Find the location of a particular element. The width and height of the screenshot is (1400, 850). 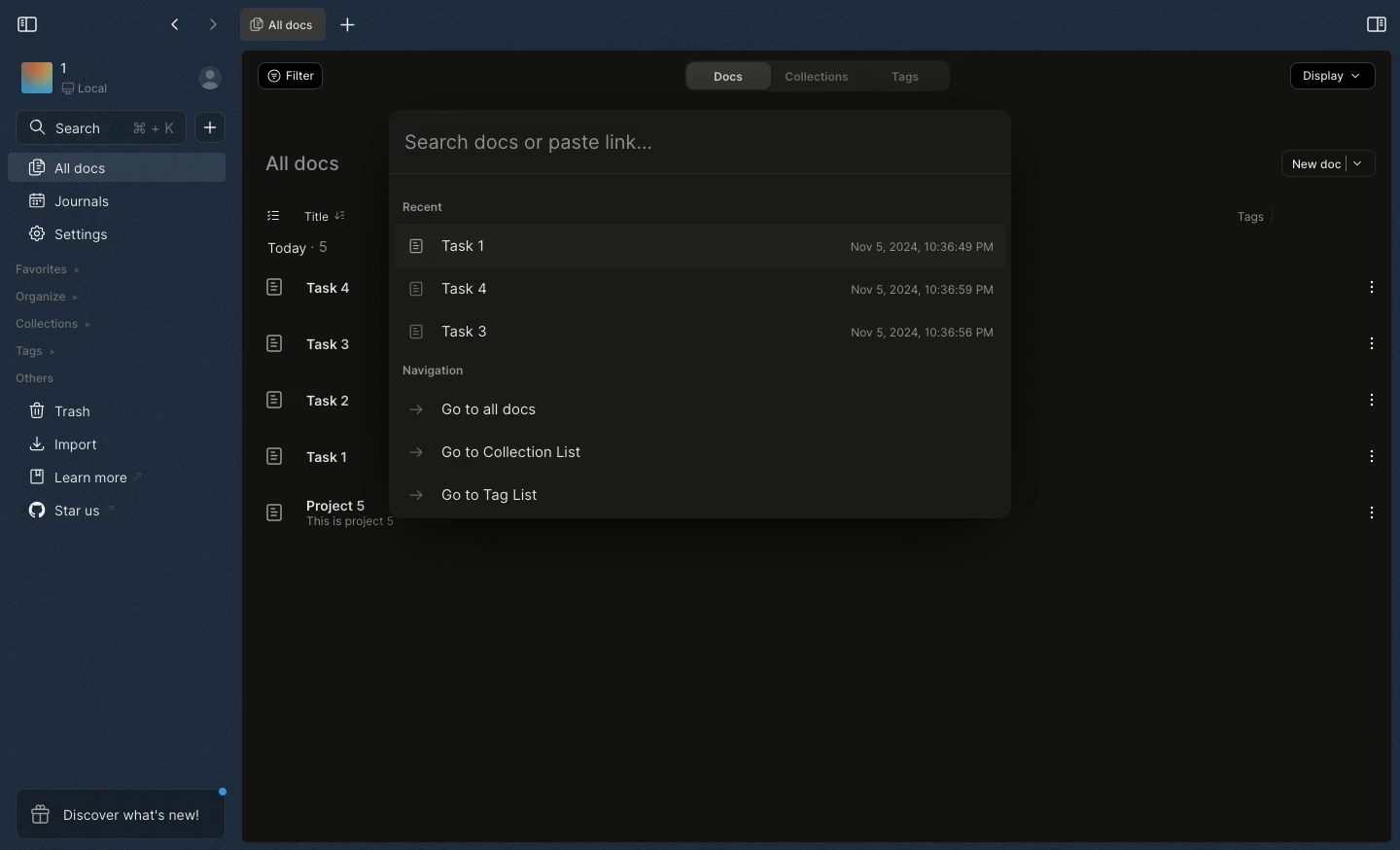

Task 3 is located at coordinates (700, 327).